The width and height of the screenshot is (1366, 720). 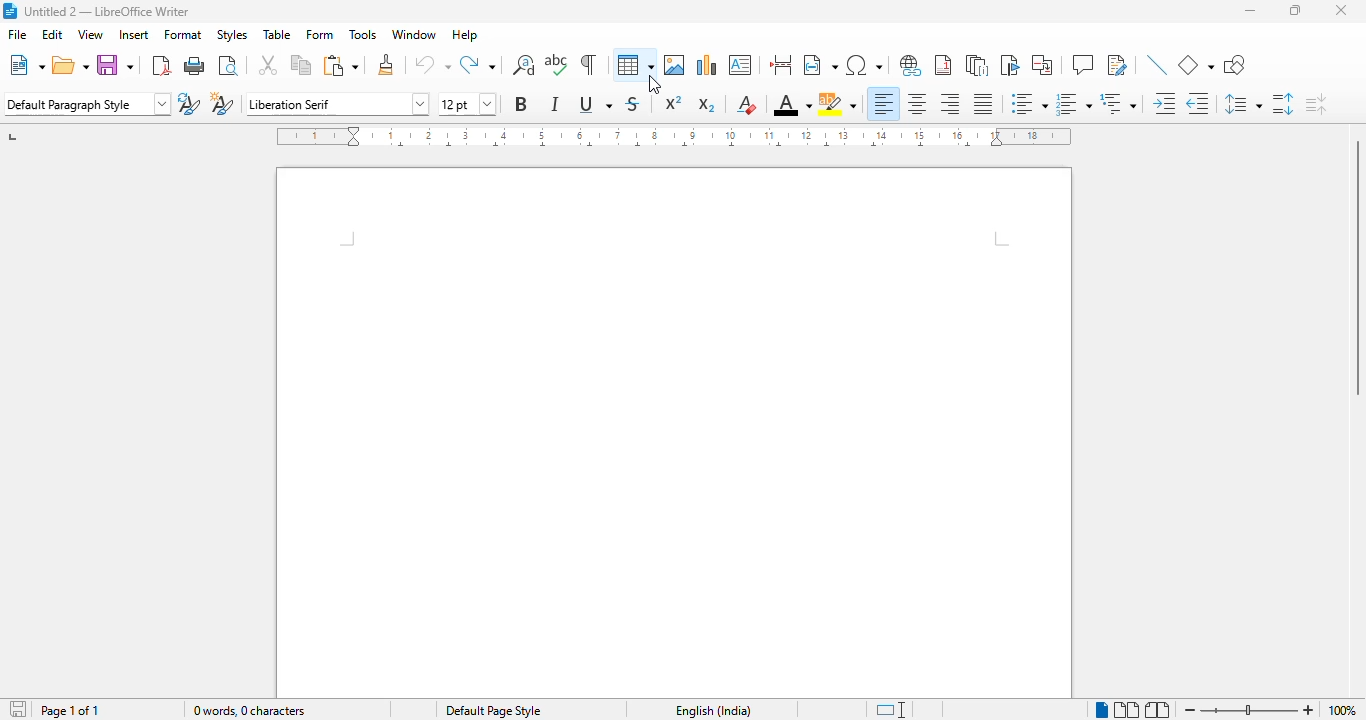 What do you see at coordinates (1164, 103) in the screenshot?
I see `increase indent` at bounding box center [1164, 103].